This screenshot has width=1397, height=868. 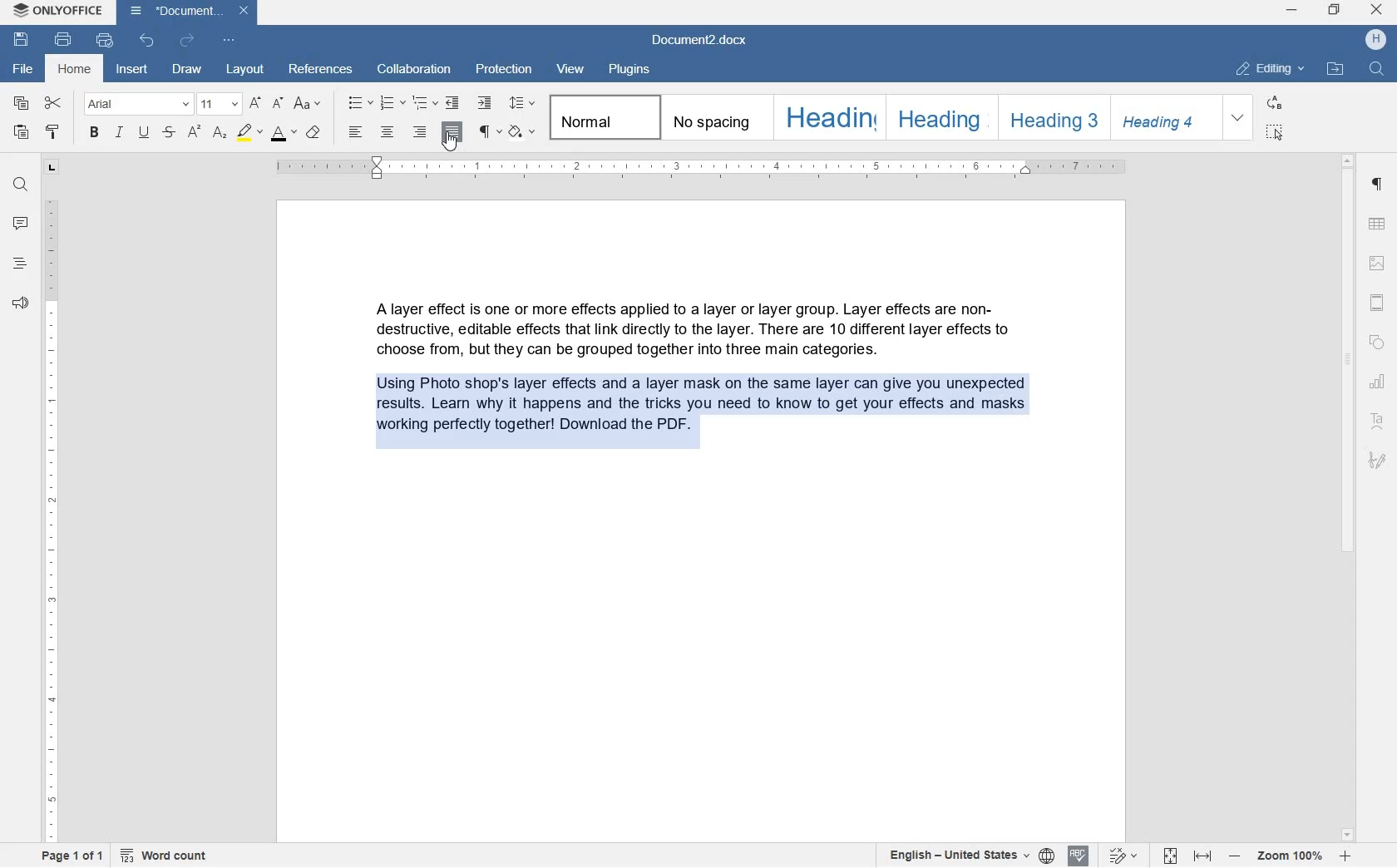 I want to click on EDITING, so click(x=1271, y=70).